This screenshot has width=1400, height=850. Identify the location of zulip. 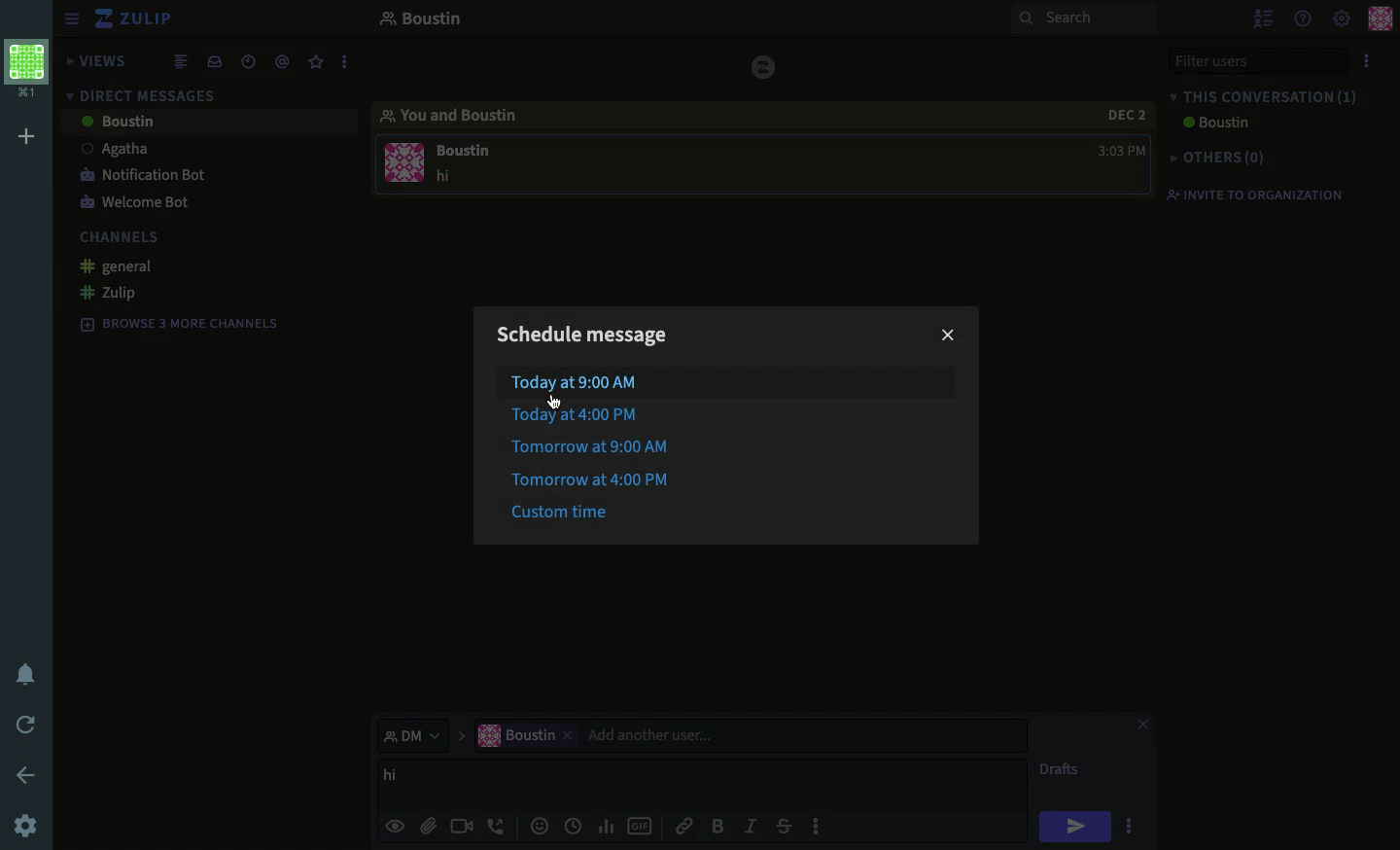
(114, 292).